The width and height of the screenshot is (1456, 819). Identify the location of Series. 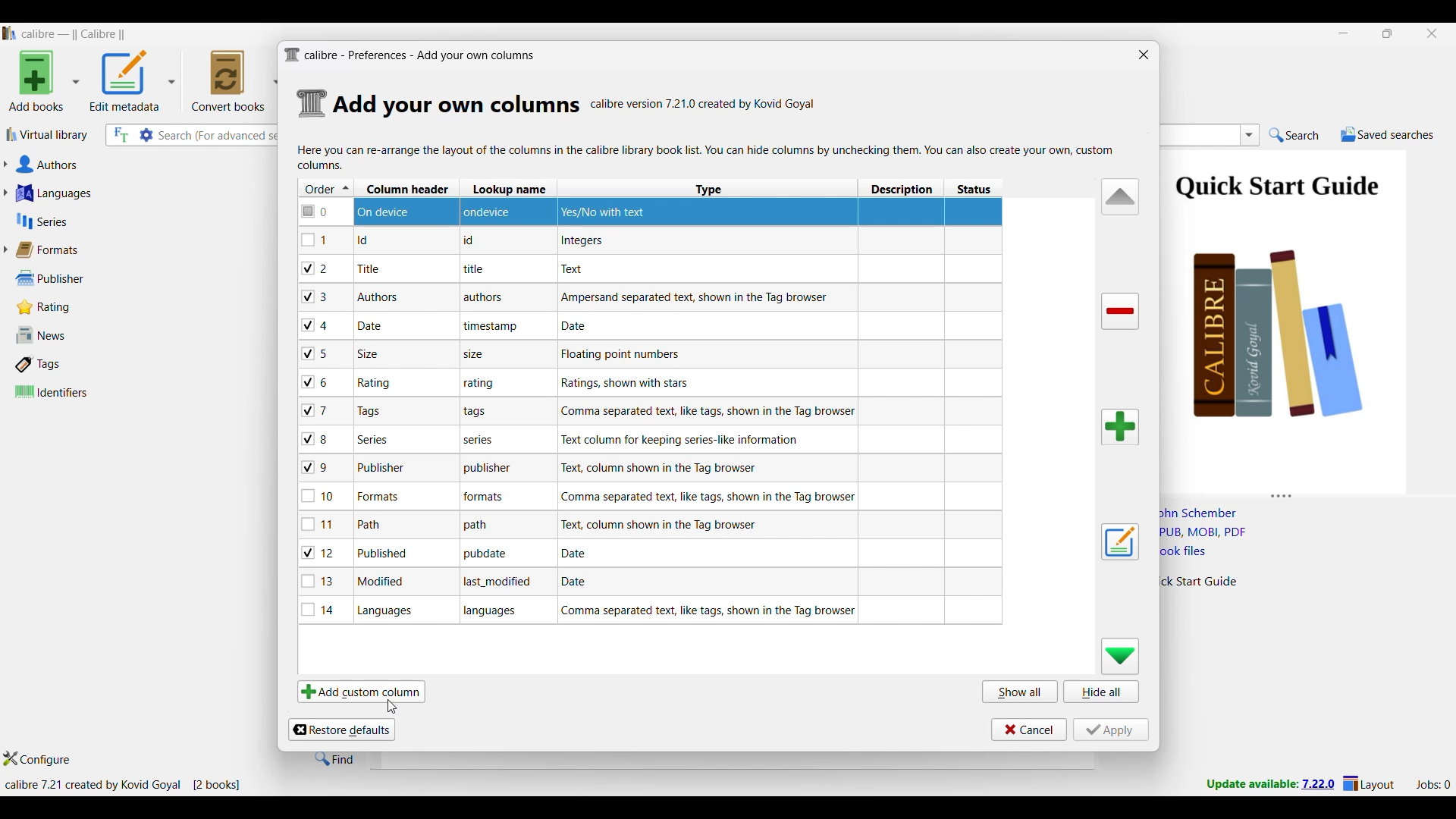
(114, 221).